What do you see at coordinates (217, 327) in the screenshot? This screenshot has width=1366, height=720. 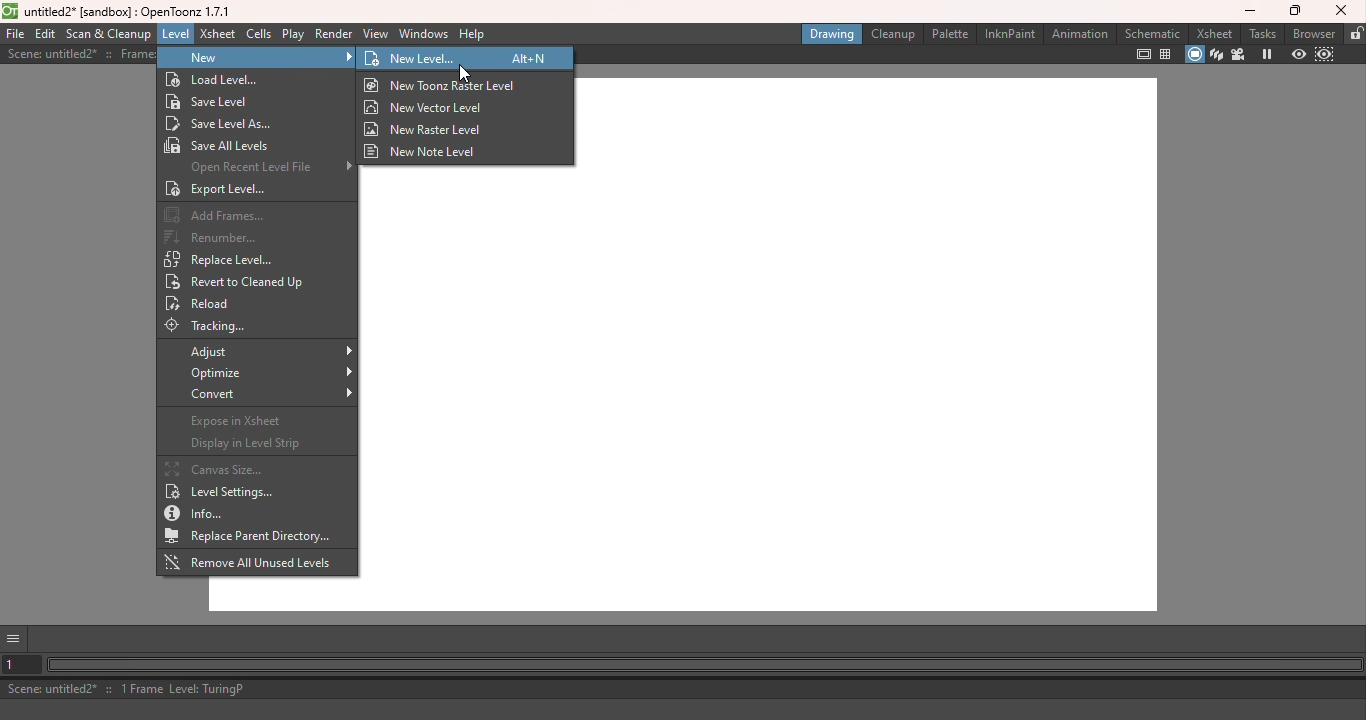 I see `Tracking` at bounding box center [217, 327].